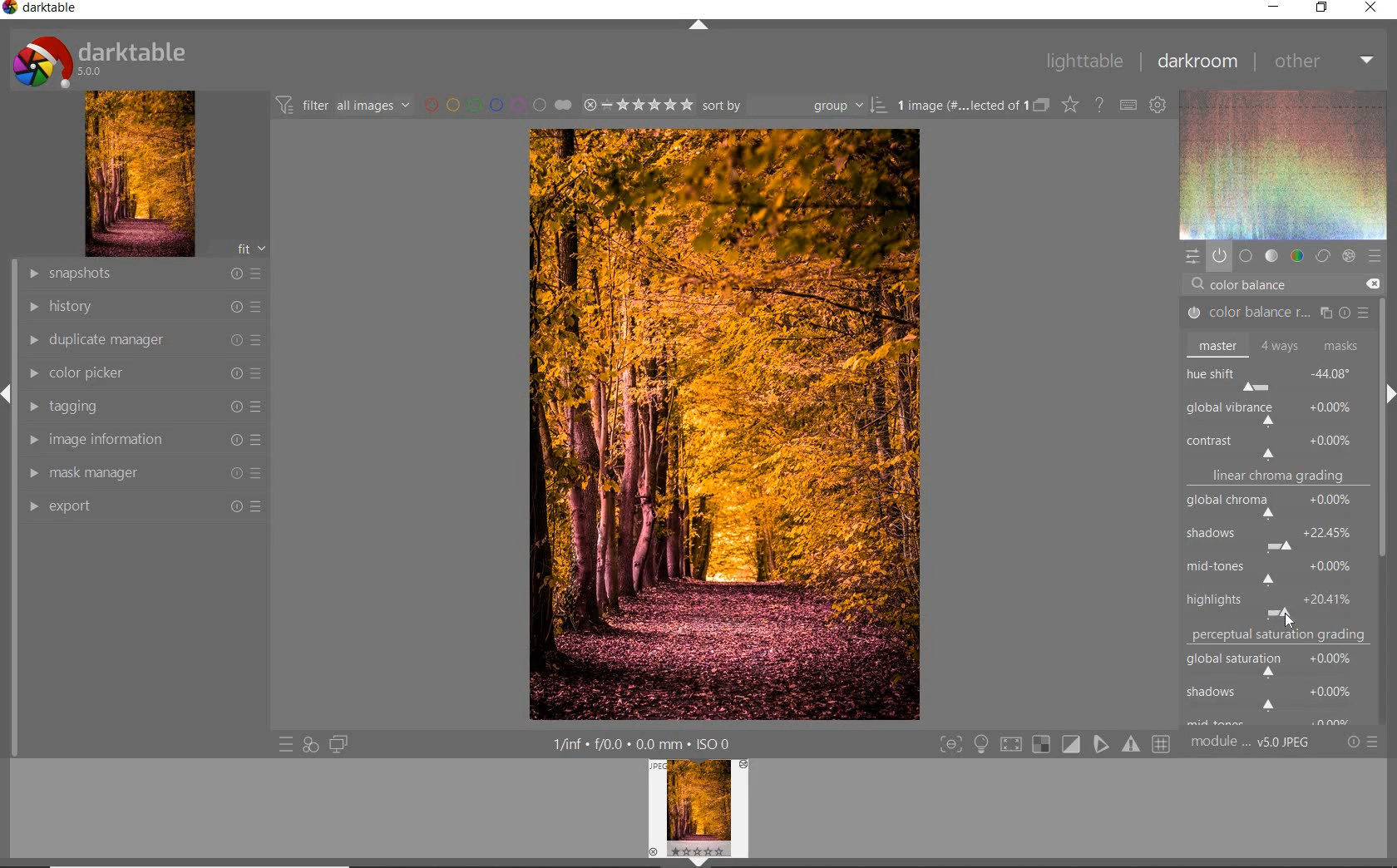 This screenshot has height=868, width=1397. What do you see at coordinates (146, 473) in the screenshot?
I see `mask manager` at bounding box center [146, 473].